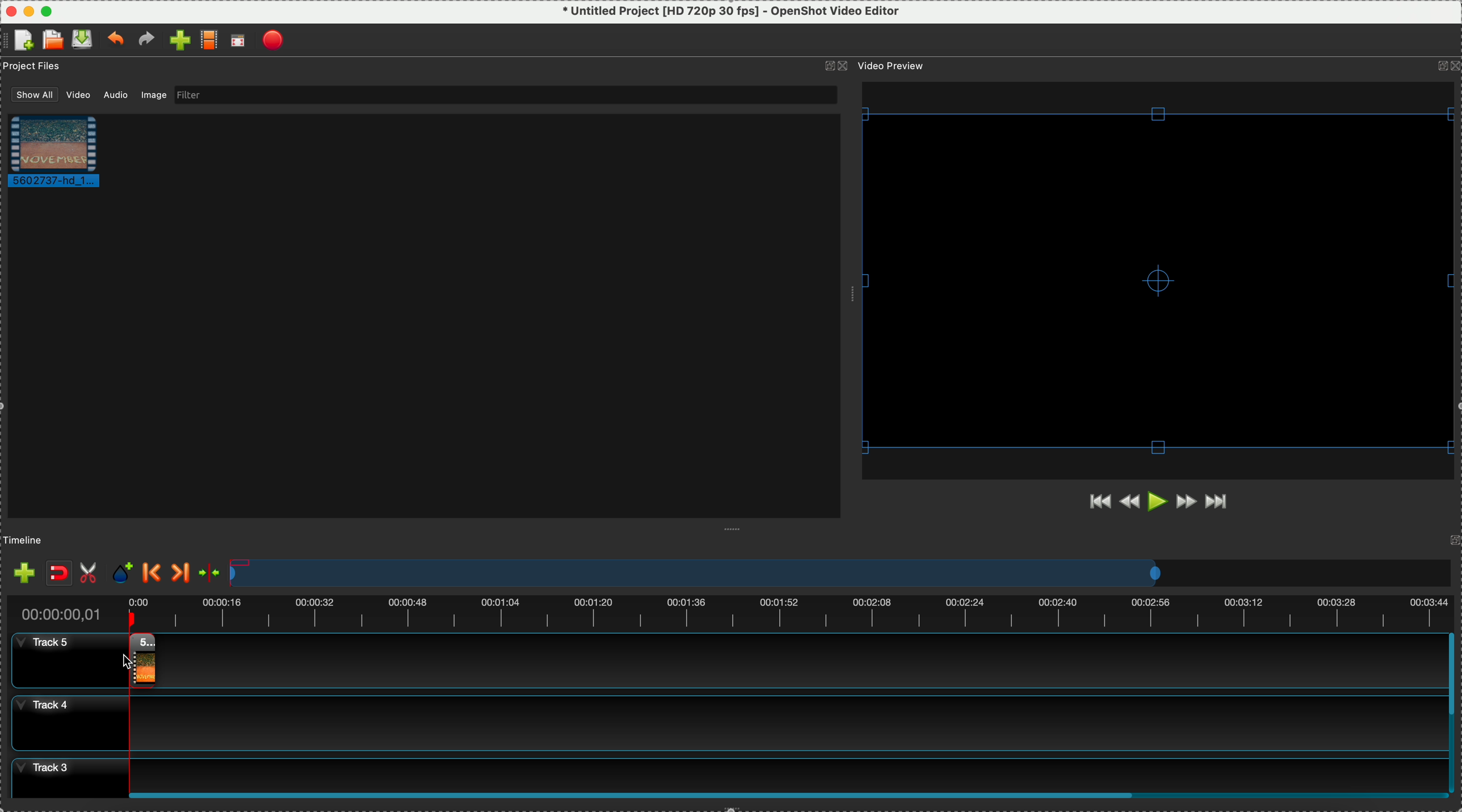 The width and height of the screenshot is (1462, 812). What do you see at coordinates (52, 40) in the screenshot?
I see `open a recent file` at bounding box center [52, 40].